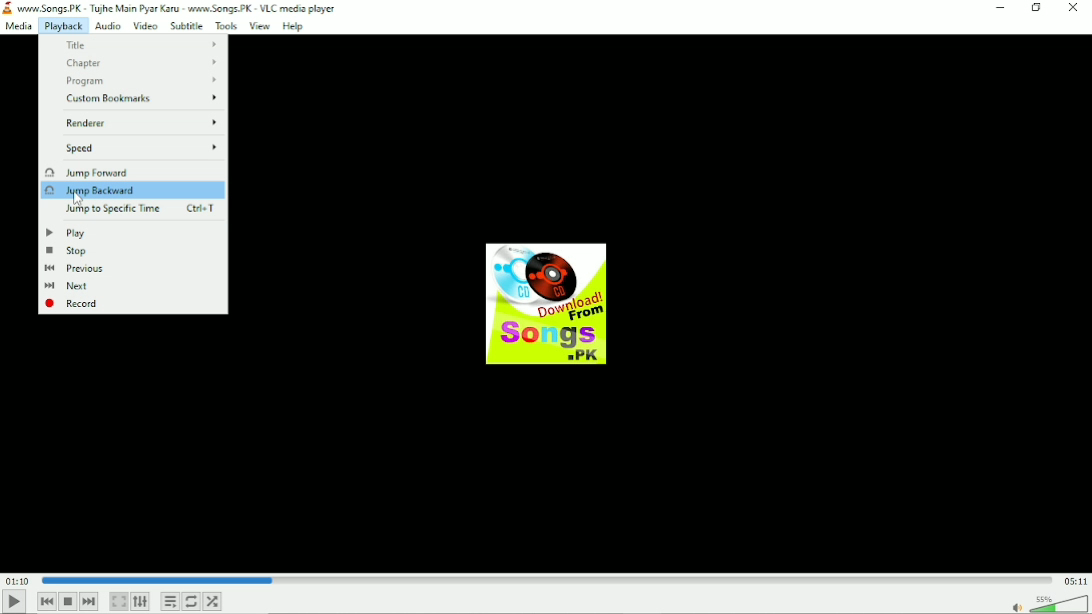 The width and height of the screenshot is (1092, 614). I want to click on Jump to specific time, so click(142, 209).